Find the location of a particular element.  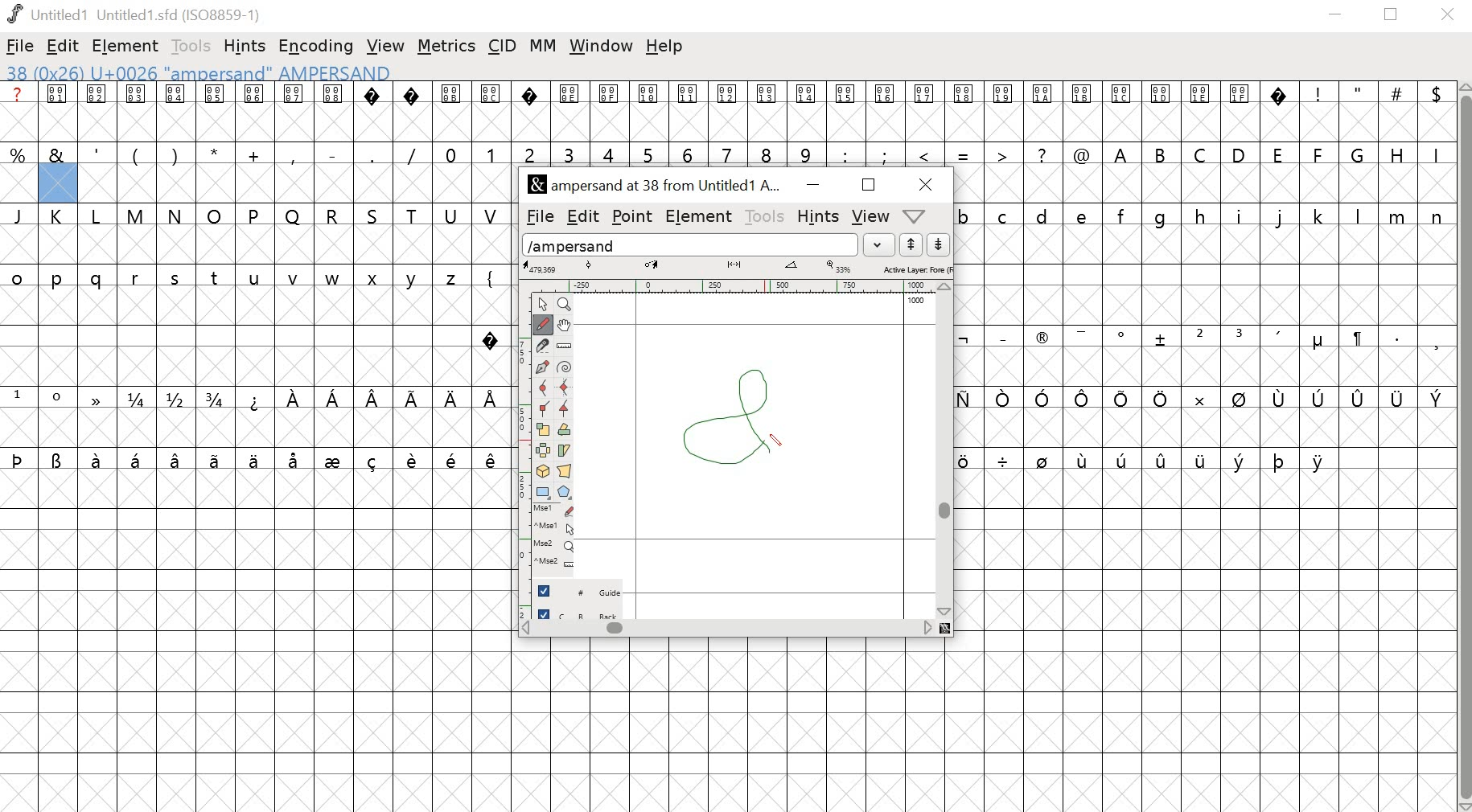

add a corner point is located at coordinates (544, 411).